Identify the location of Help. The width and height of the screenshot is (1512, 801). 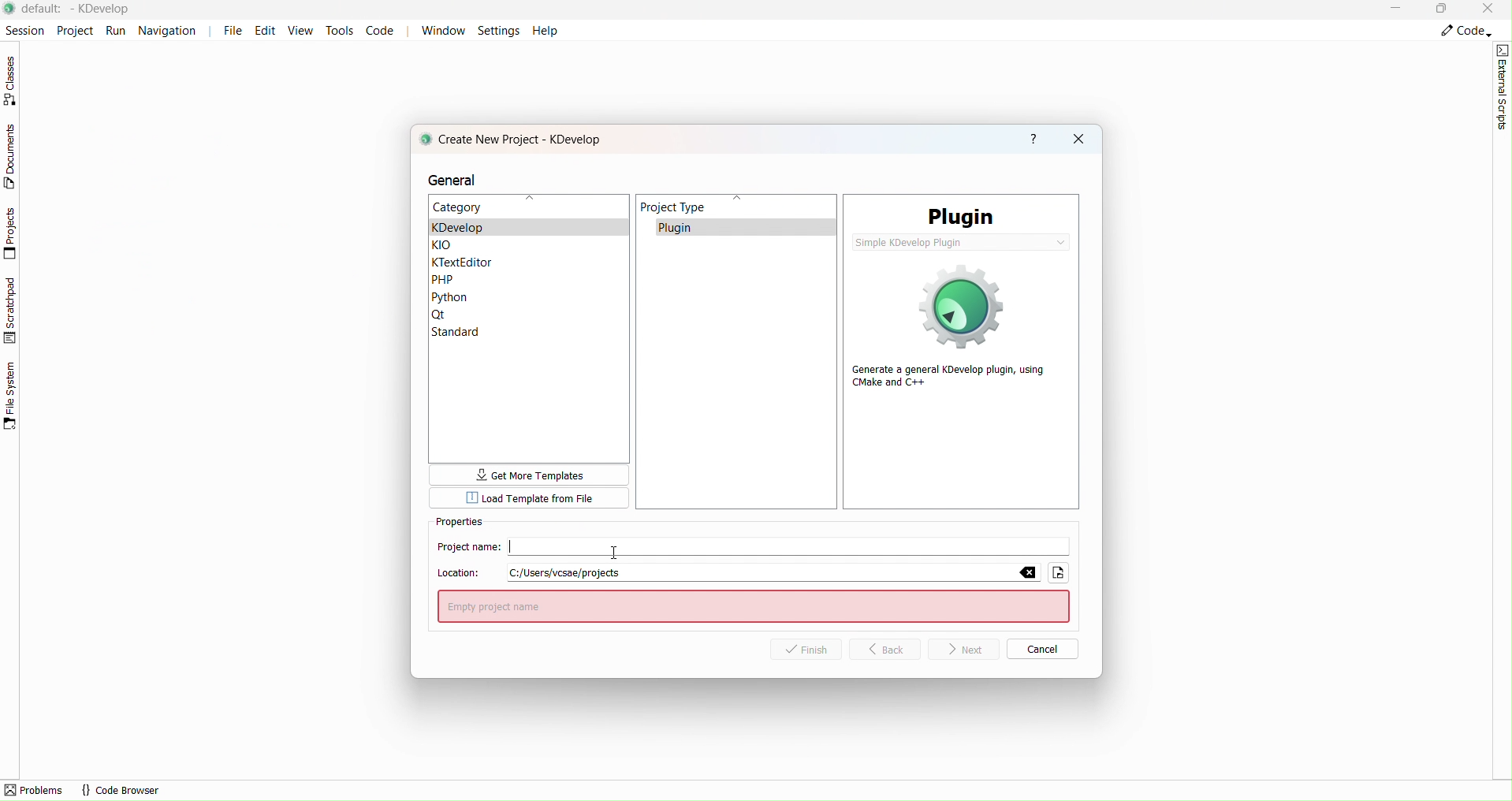
(545, 30).